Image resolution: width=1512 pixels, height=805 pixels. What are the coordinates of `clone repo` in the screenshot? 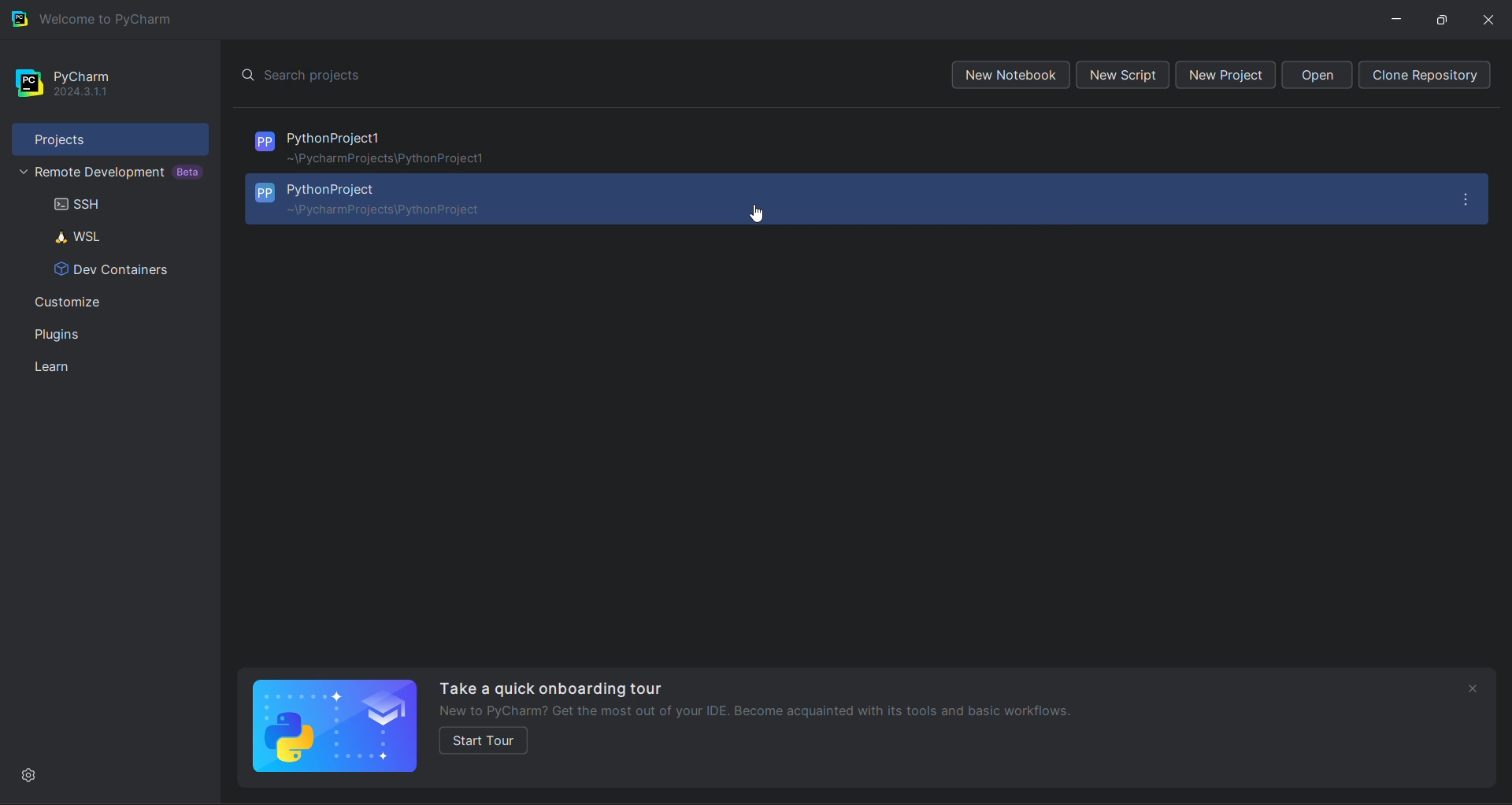 It's located at (1428, 76).